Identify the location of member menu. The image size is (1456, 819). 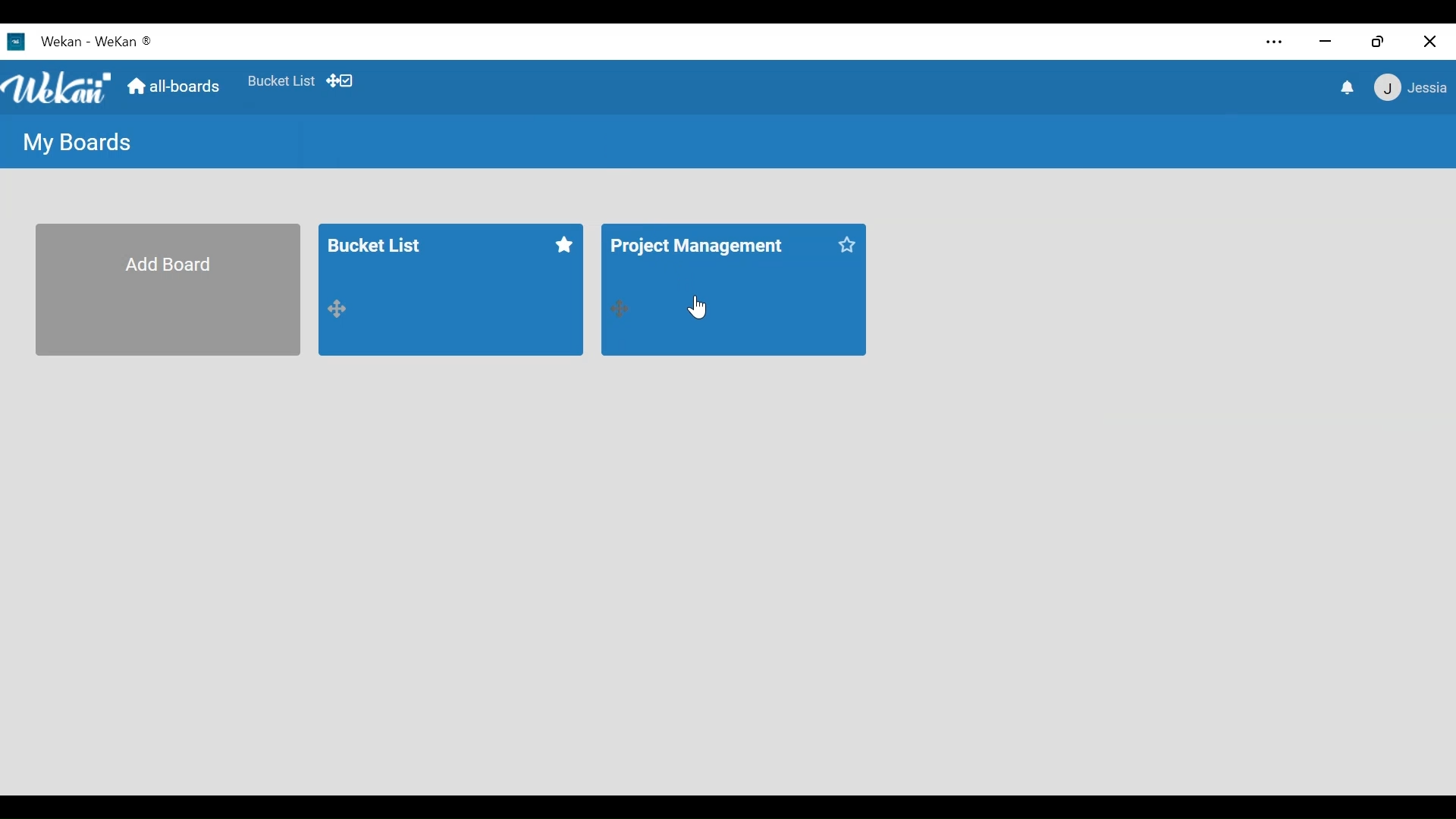
(1410, 88).